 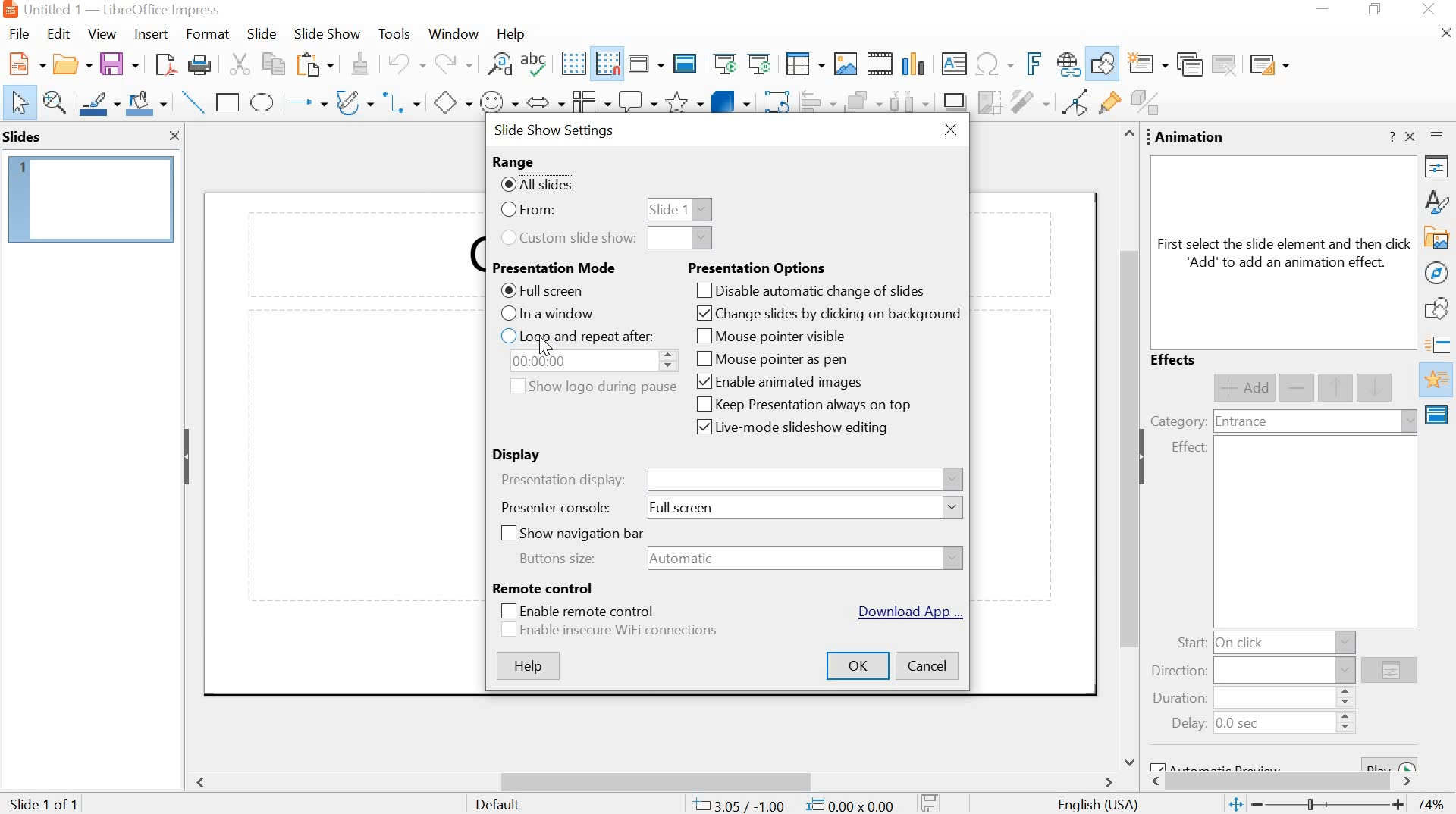 What do you see at coordinates (1439, 345) in the screenshot?
I see `slide transitions` at bounding box center [1439, 345].